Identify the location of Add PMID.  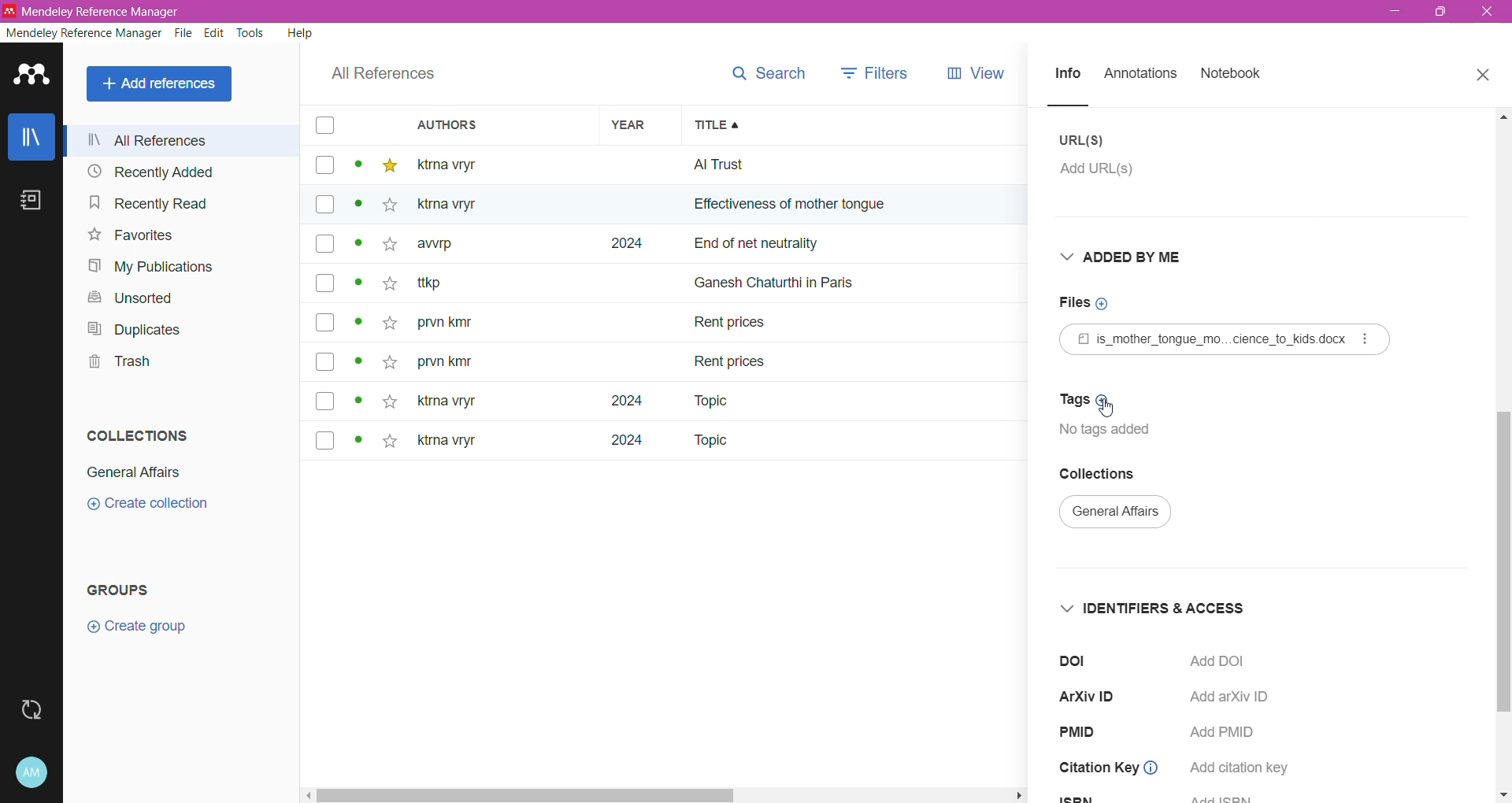
(1229, 732).